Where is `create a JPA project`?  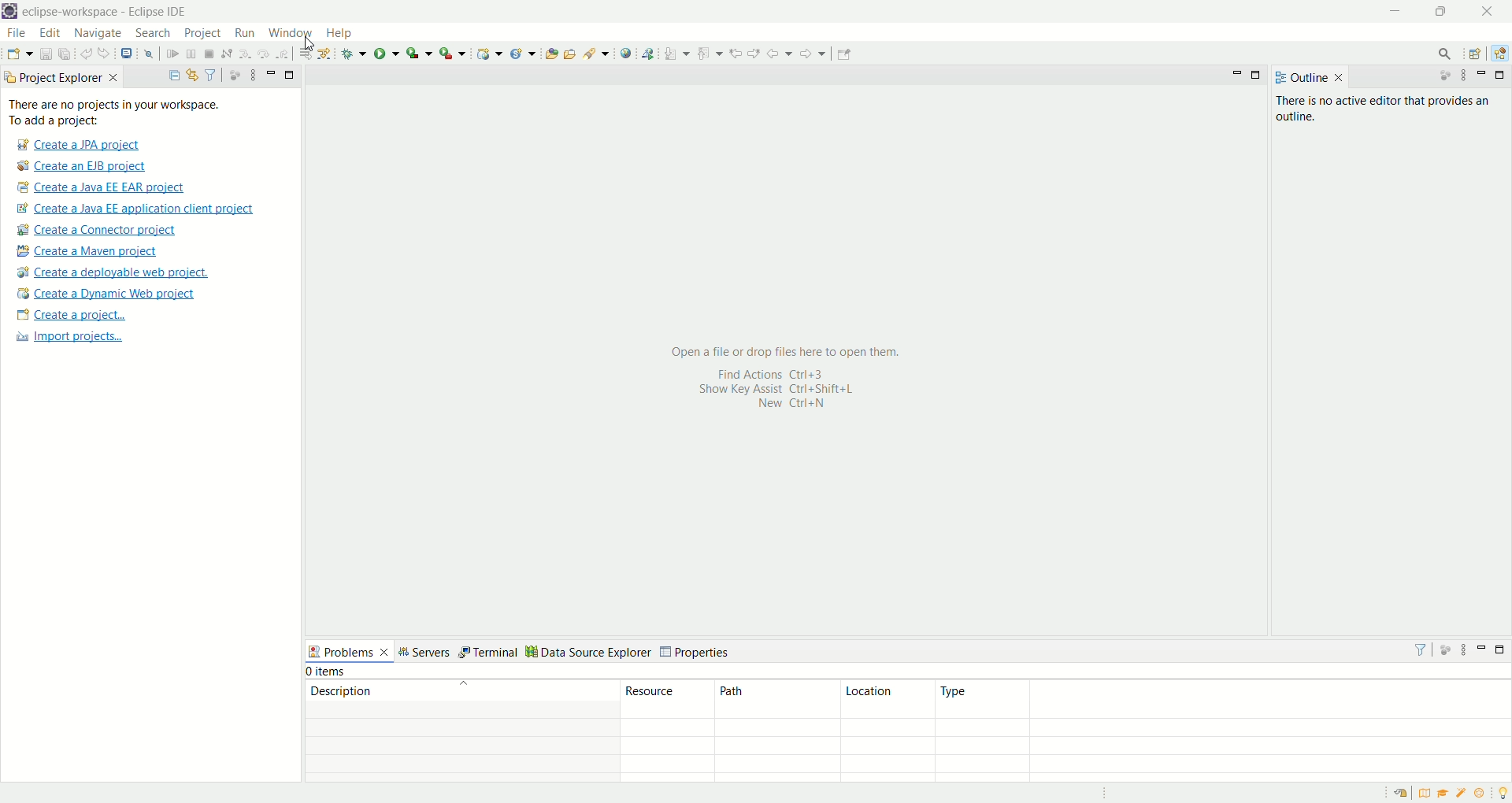 create a JPA project is located at coordinates (76, 146).